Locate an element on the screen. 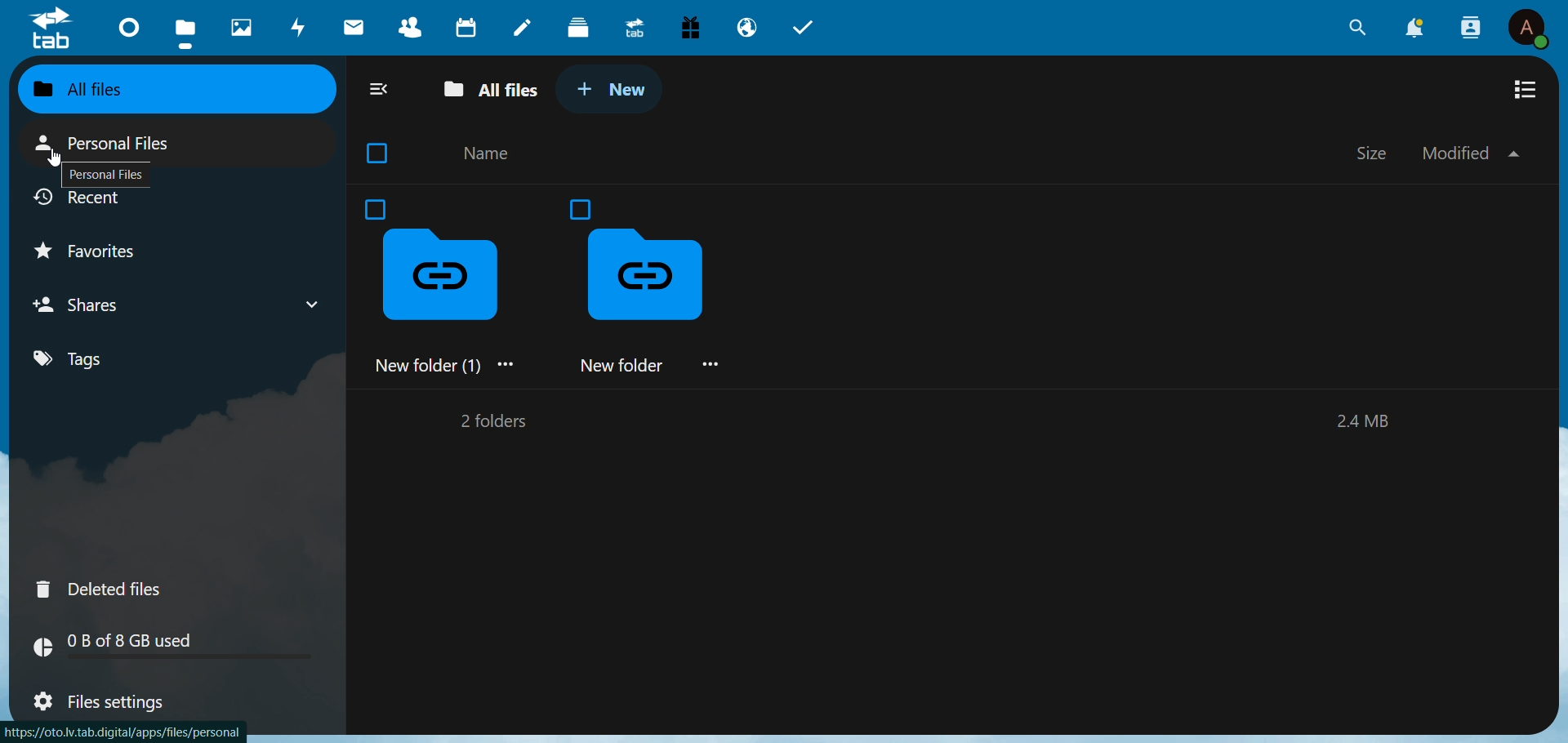 The height and width of the screenshot is (743, 1568). file setting is located at coordinates (102, 704).